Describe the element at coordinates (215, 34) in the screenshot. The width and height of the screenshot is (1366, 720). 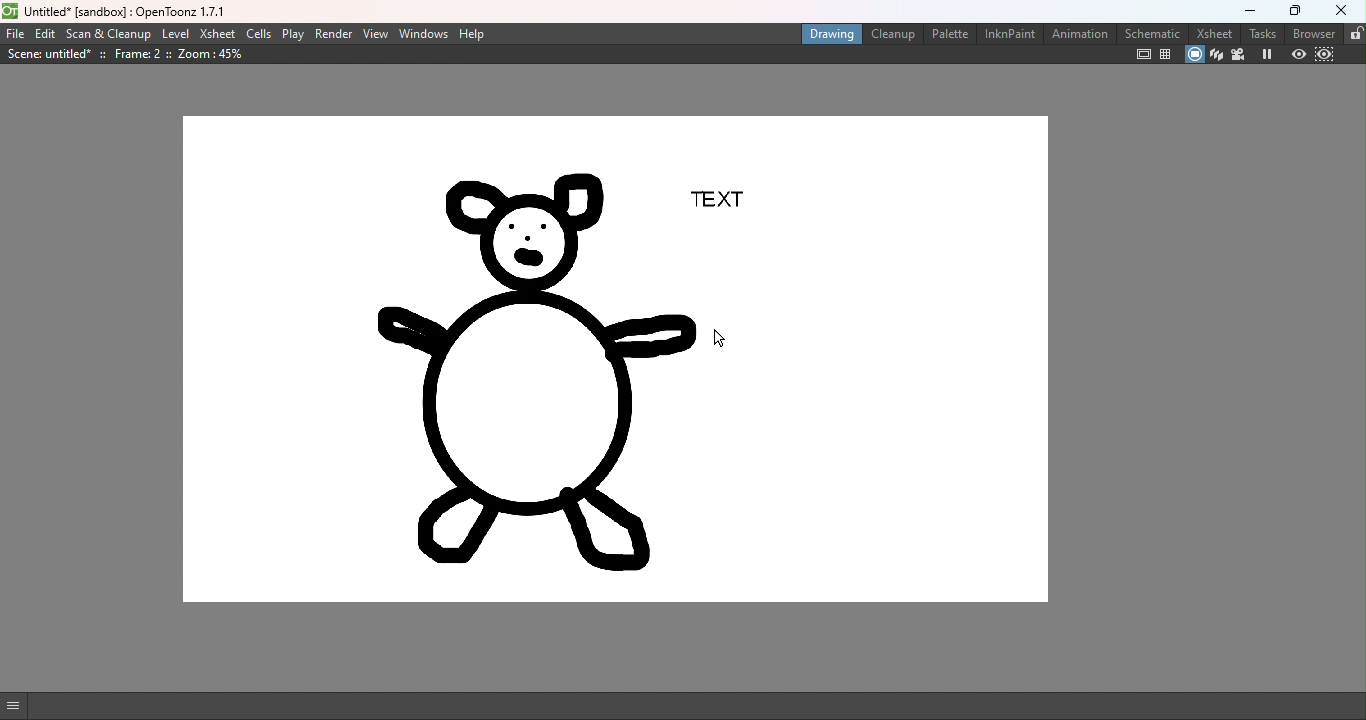
I see `XSheet` at that location.